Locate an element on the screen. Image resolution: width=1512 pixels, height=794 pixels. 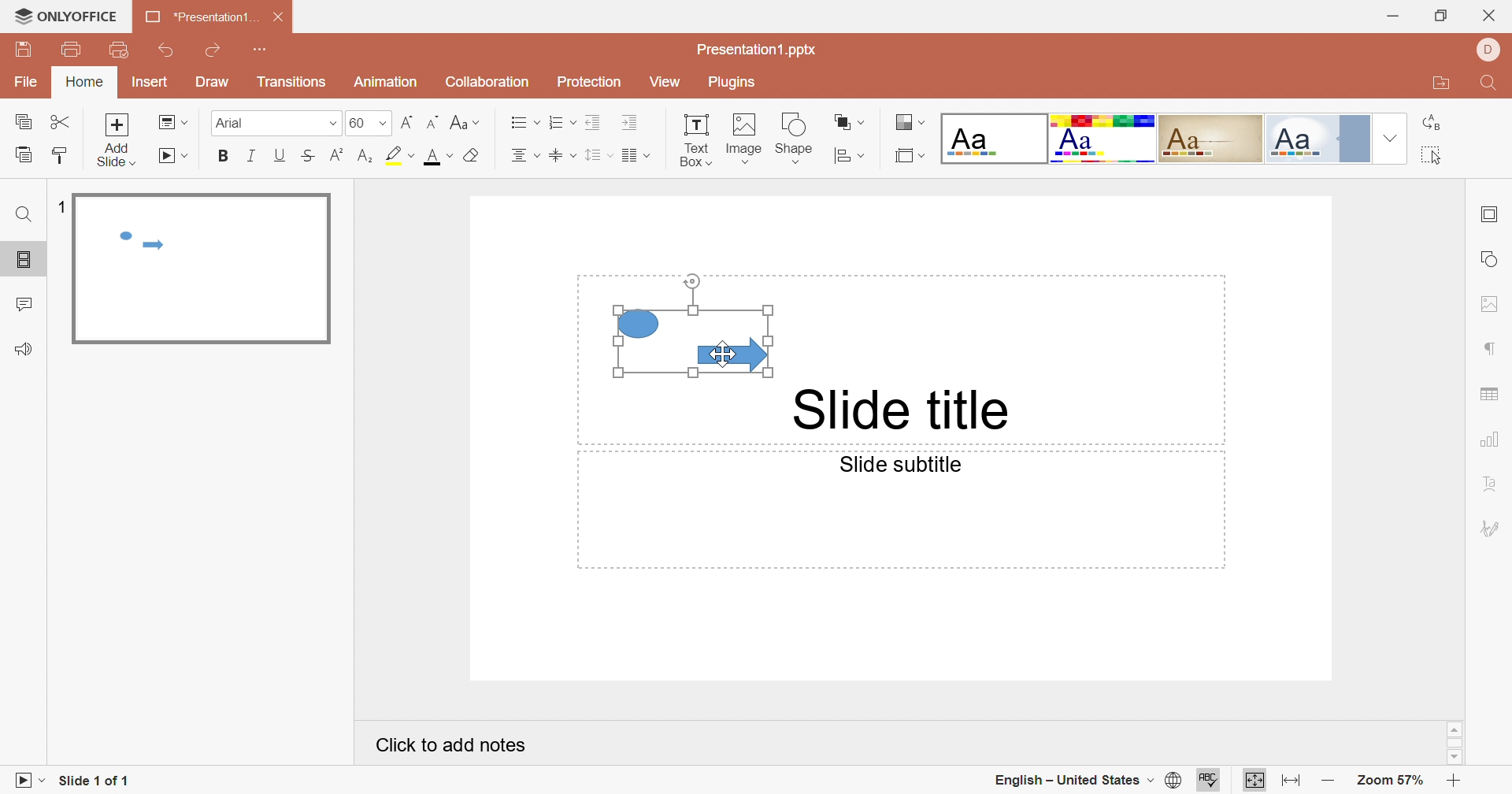
*Presentation1... is located at coordinates (204, 19).